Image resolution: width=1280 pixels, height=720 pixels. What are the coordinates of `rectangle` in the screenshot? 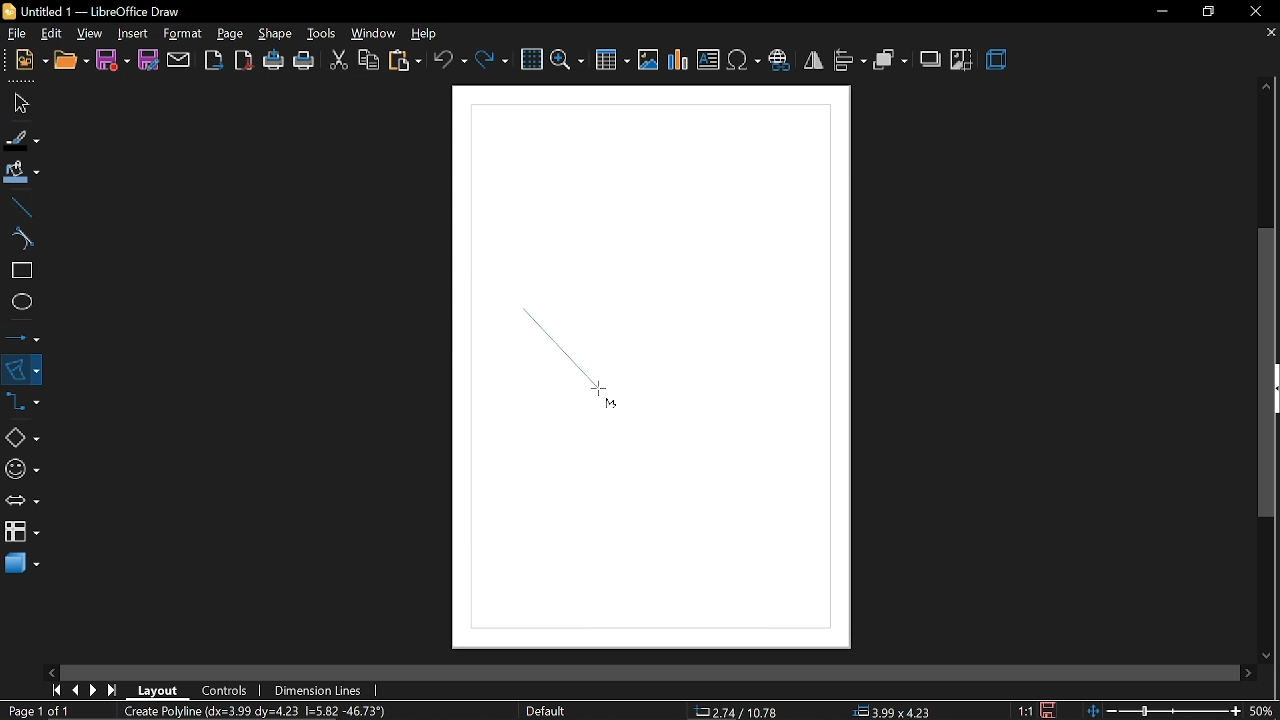 It's located at (19, 272).